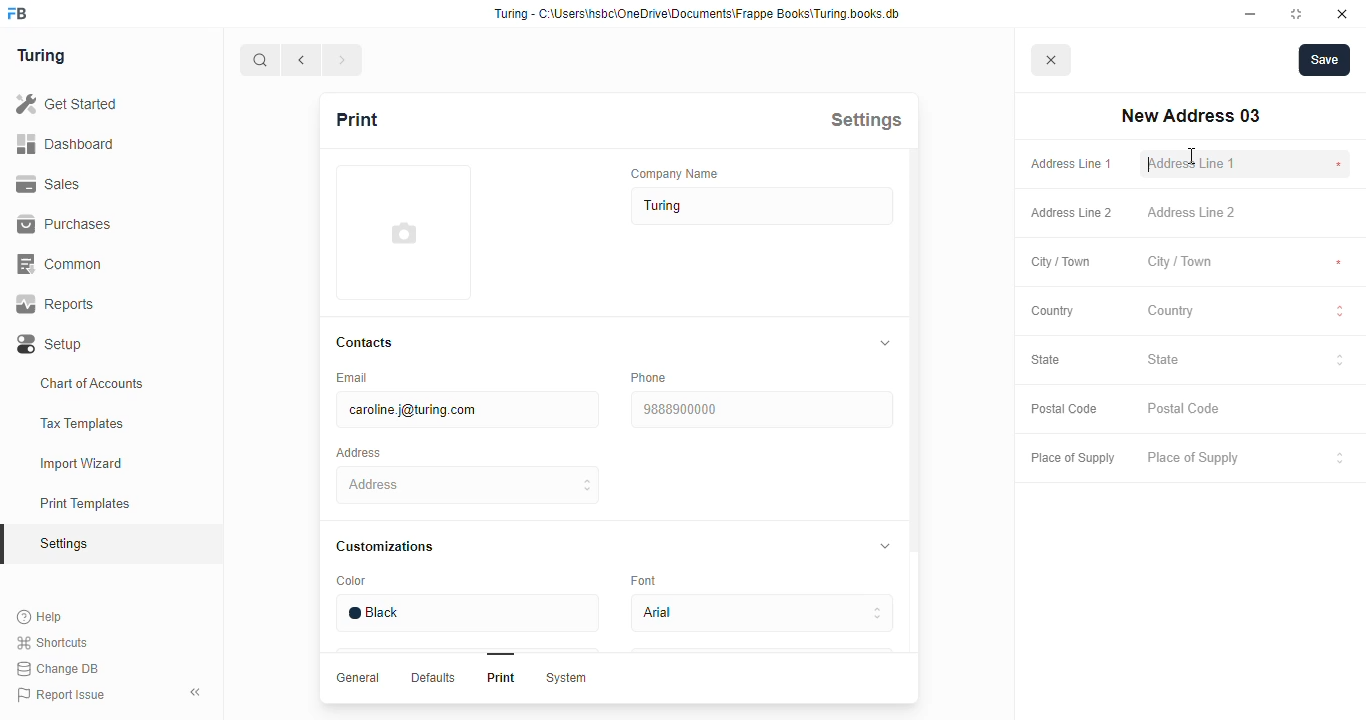 The width and height of the screenshot is (1366, 720). What do you see at coordinates (1247, 459) in the screenshot?
I see `place of supply` at bounding box center [1247, 459].